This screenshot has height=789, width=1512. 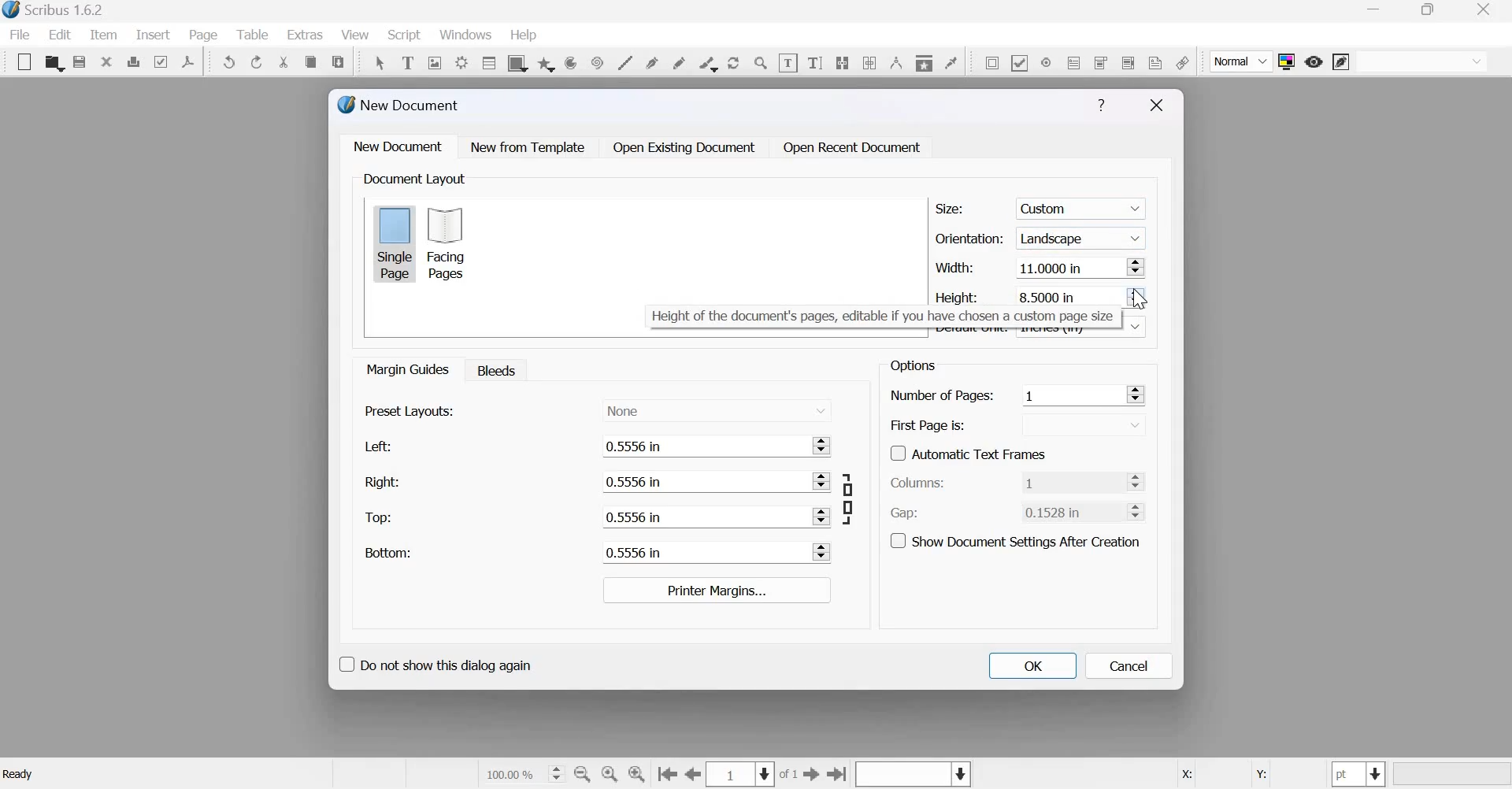 I want to click on Bottom:, so click(x=387, y=552).